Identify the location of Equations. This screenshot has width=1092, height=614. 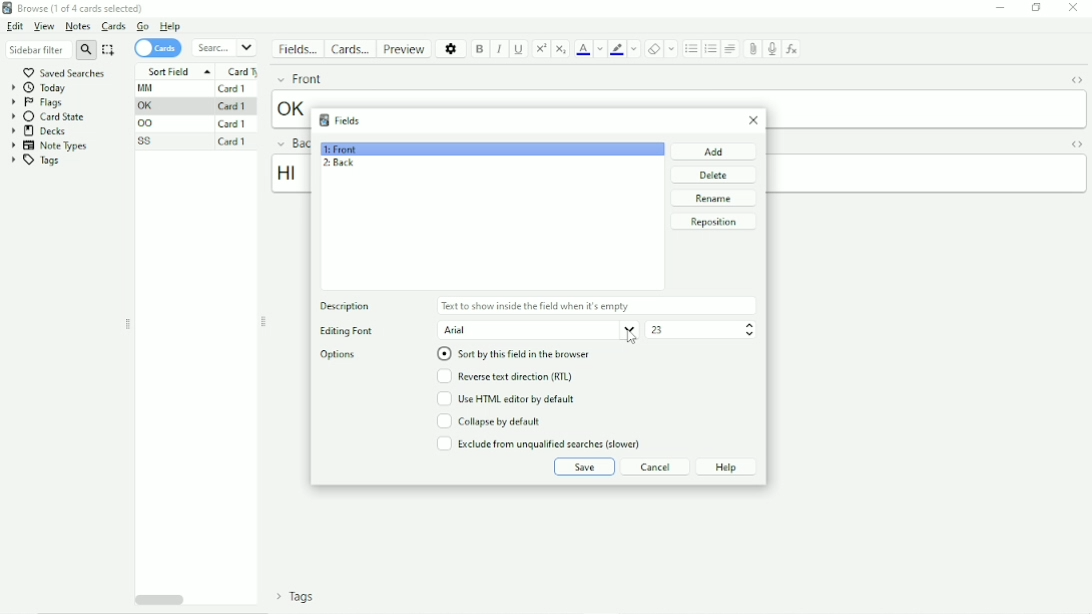
(793, 49).